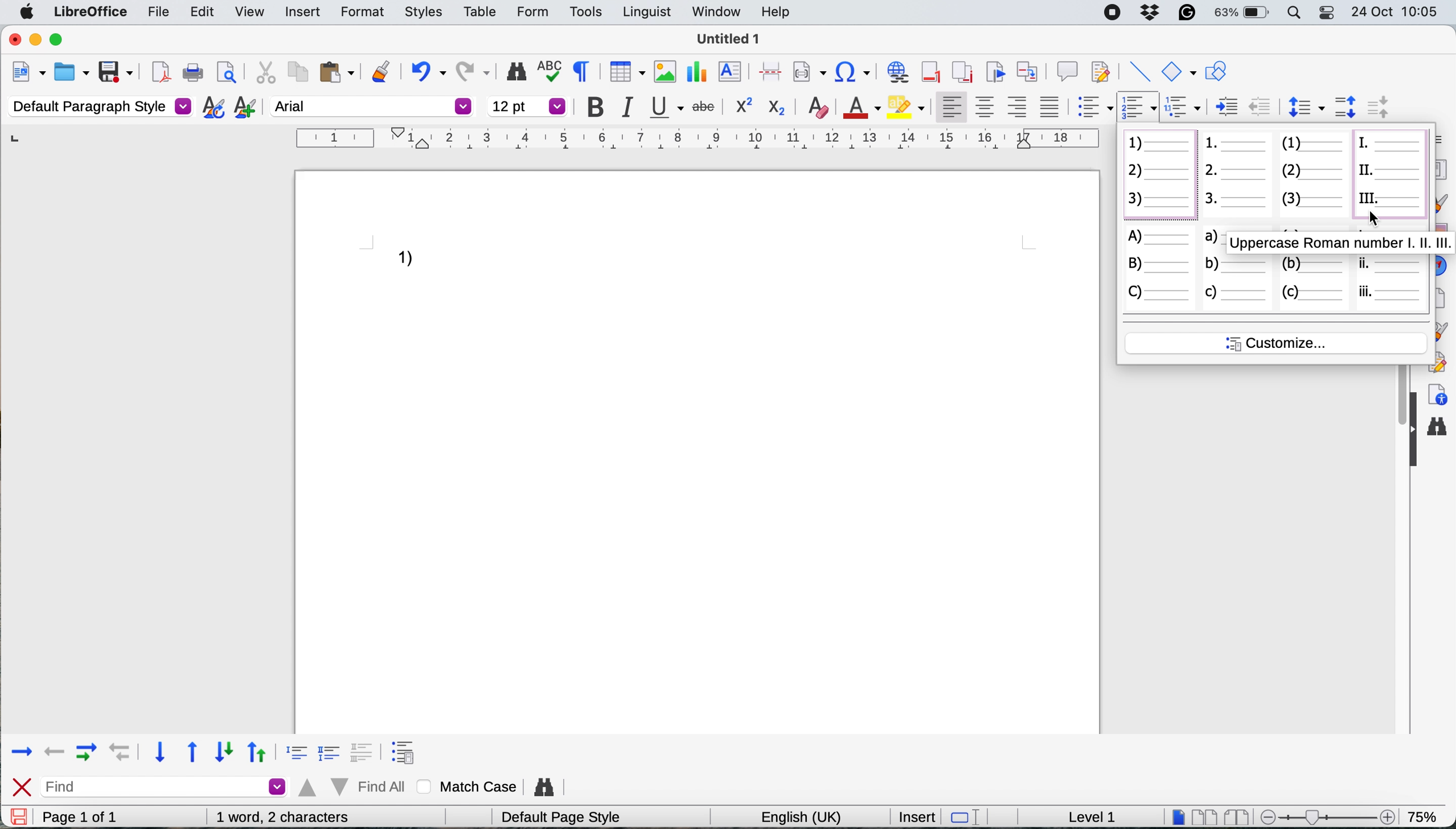  What do you see at coordinates (906, 106) in the screenshot?
I see `fill color` at bounding box center [906, 106].